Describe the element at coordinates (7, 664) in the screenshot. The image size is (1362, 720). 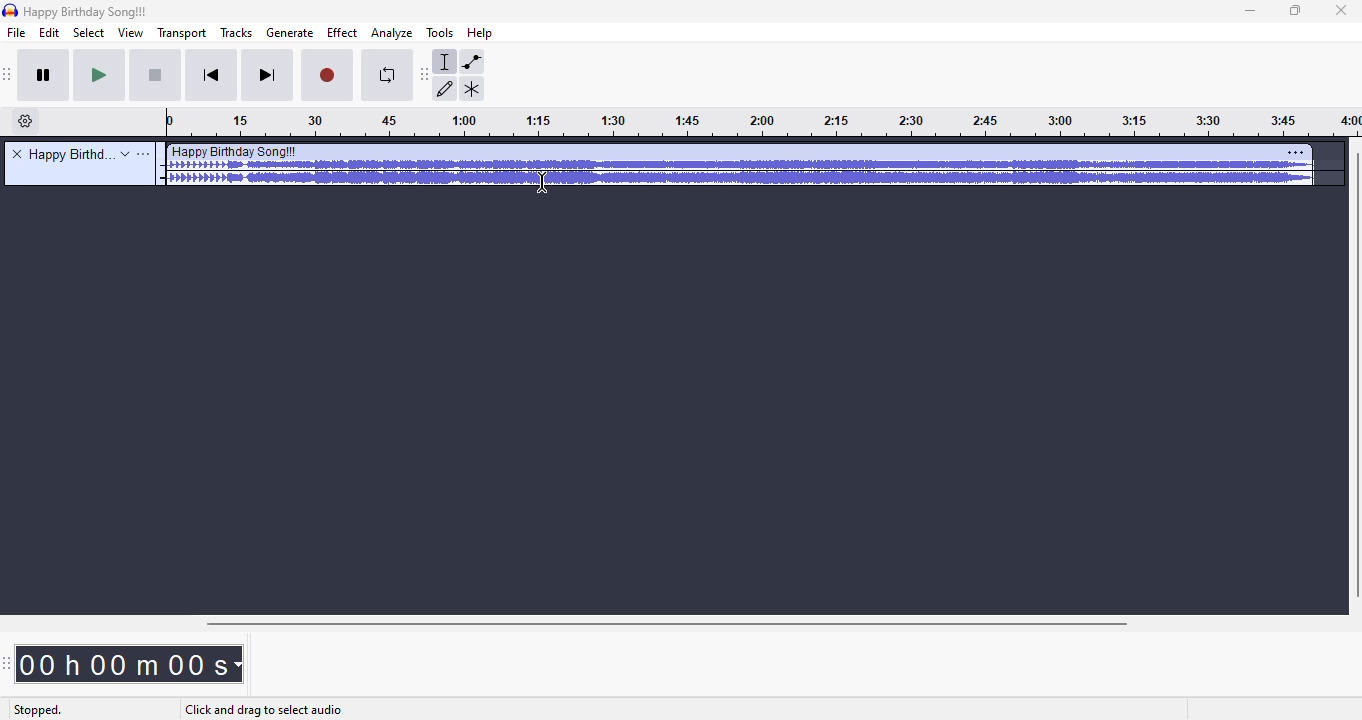
I see `audacity time toolbar` at that location.